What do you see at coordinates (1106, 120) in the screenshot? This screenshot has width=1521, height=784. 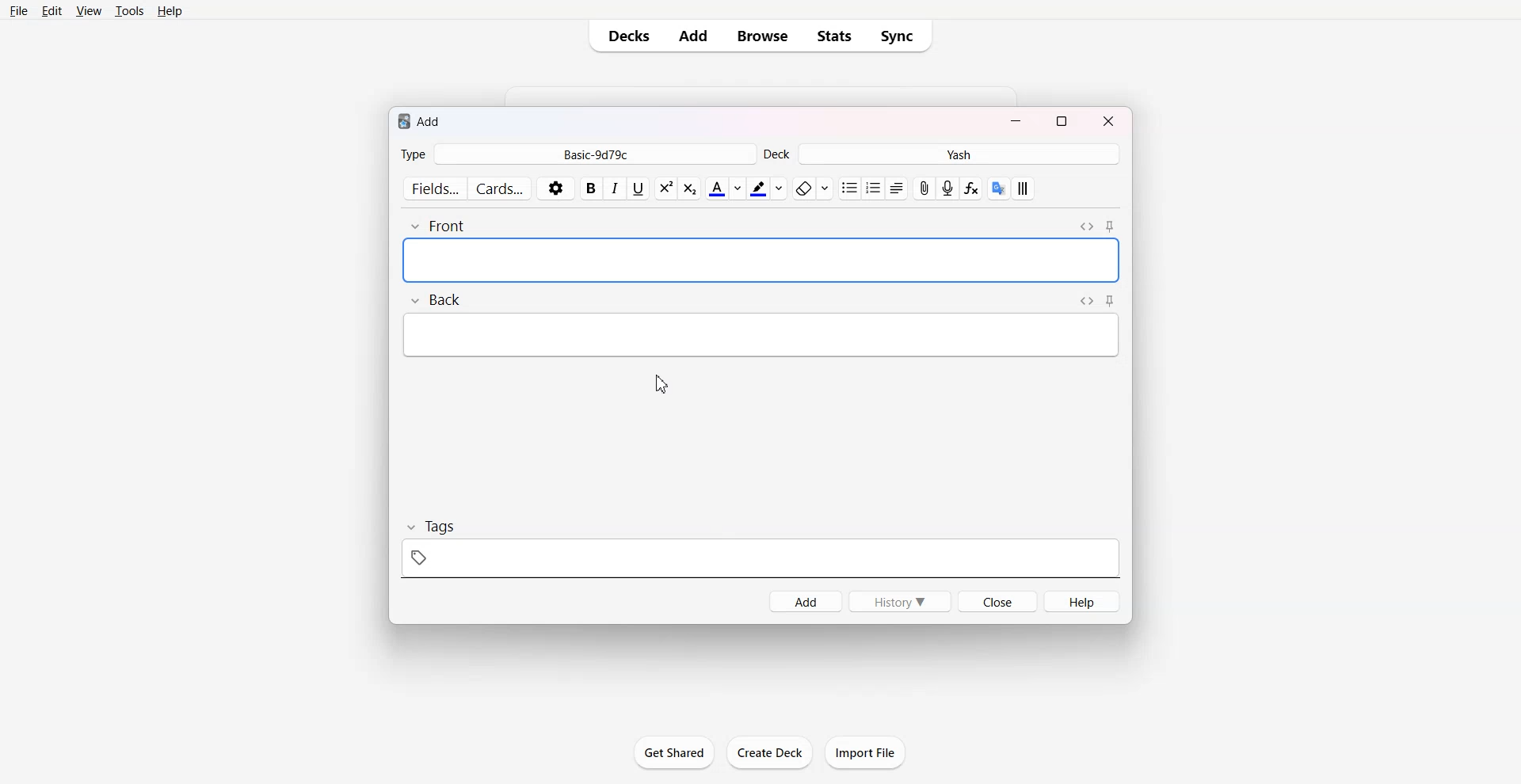 I see `Close` at bounding box center [1106, 120].